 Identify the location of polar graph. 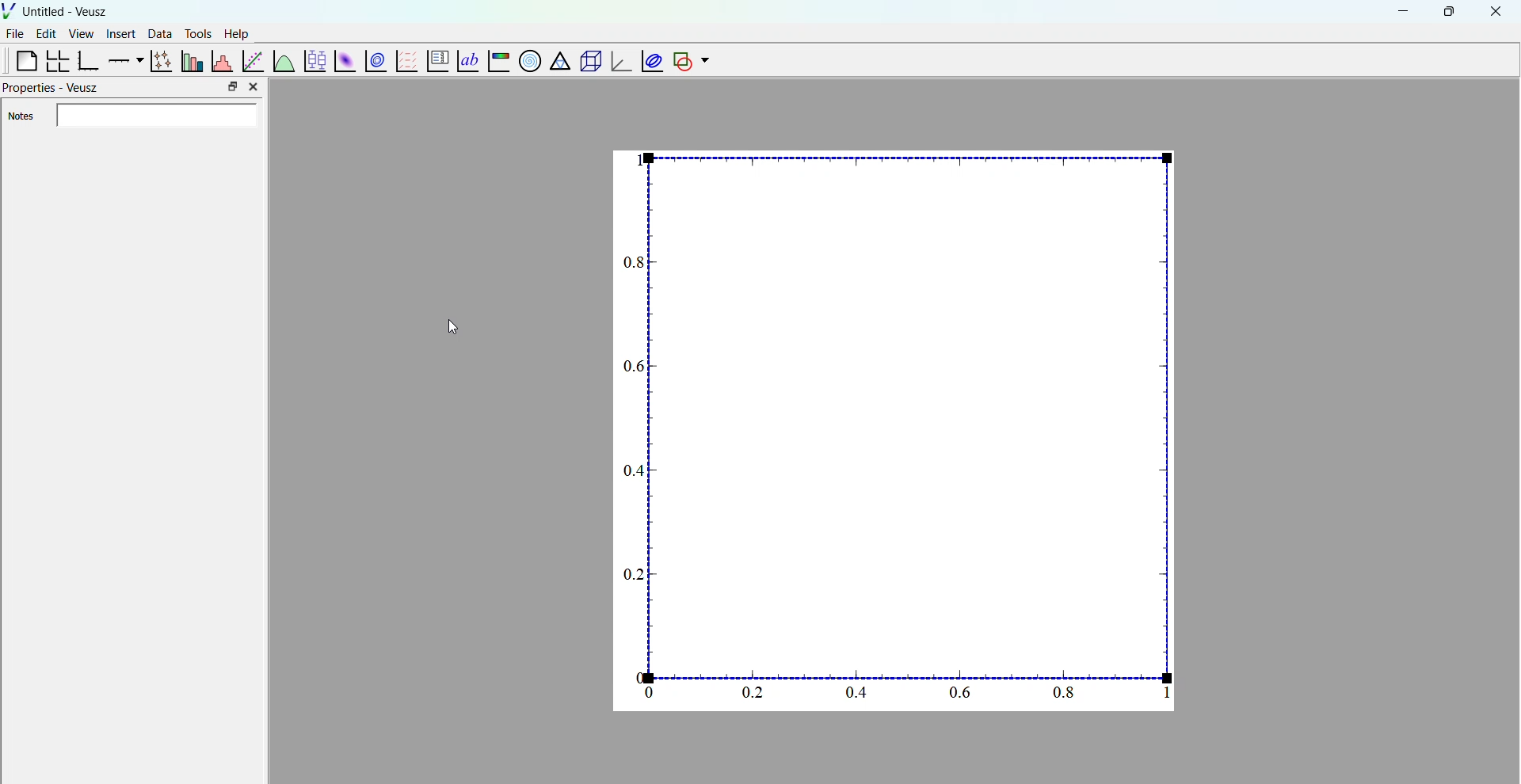
(527, 60).